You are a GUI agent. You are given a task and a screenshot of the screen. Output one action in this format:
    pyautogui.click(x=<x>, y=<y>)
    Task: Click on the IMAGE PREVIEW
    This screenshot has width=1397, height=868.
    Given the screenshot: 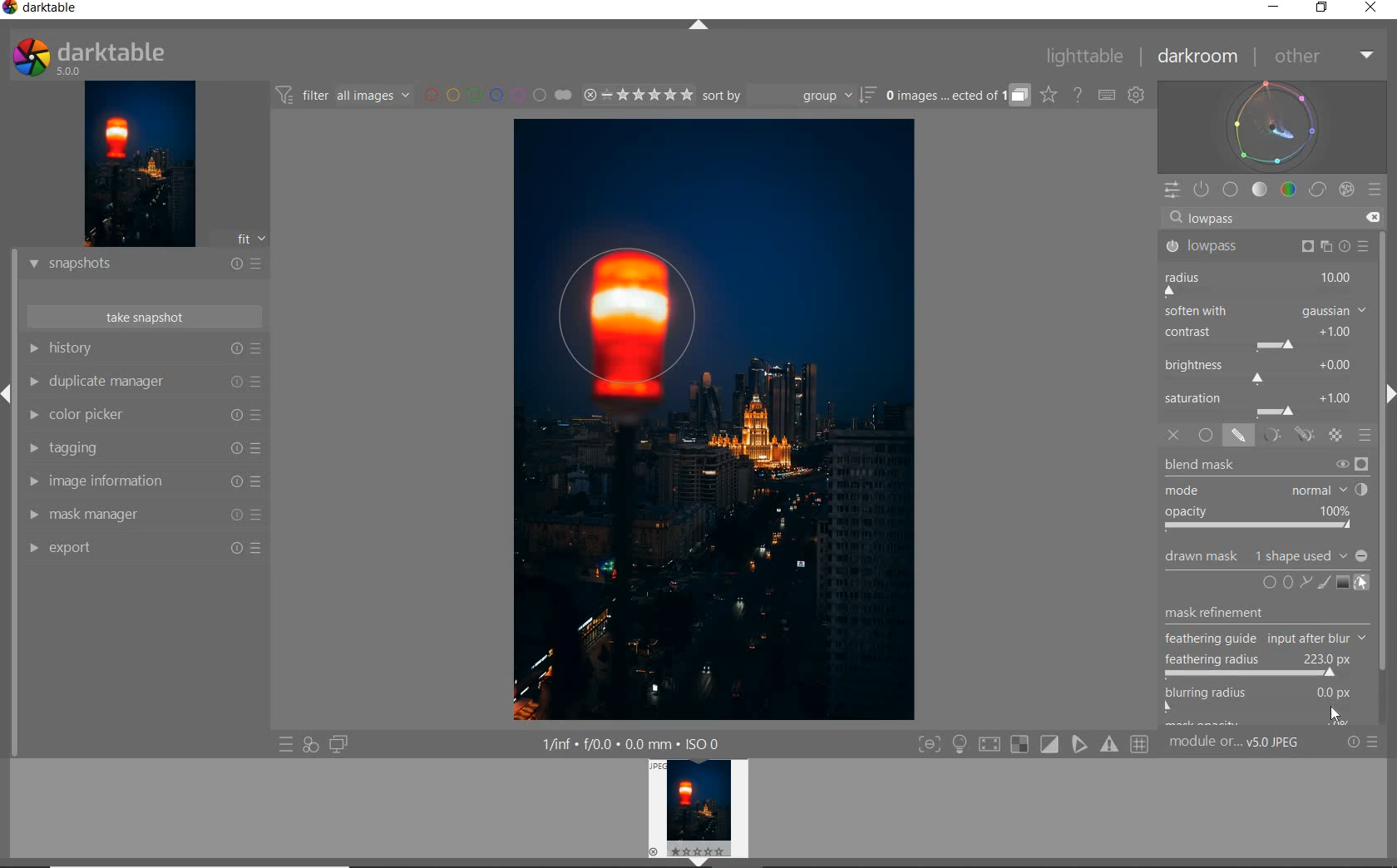 What is the action you would take?
    pyautogui.click(x=140, y=163)
    